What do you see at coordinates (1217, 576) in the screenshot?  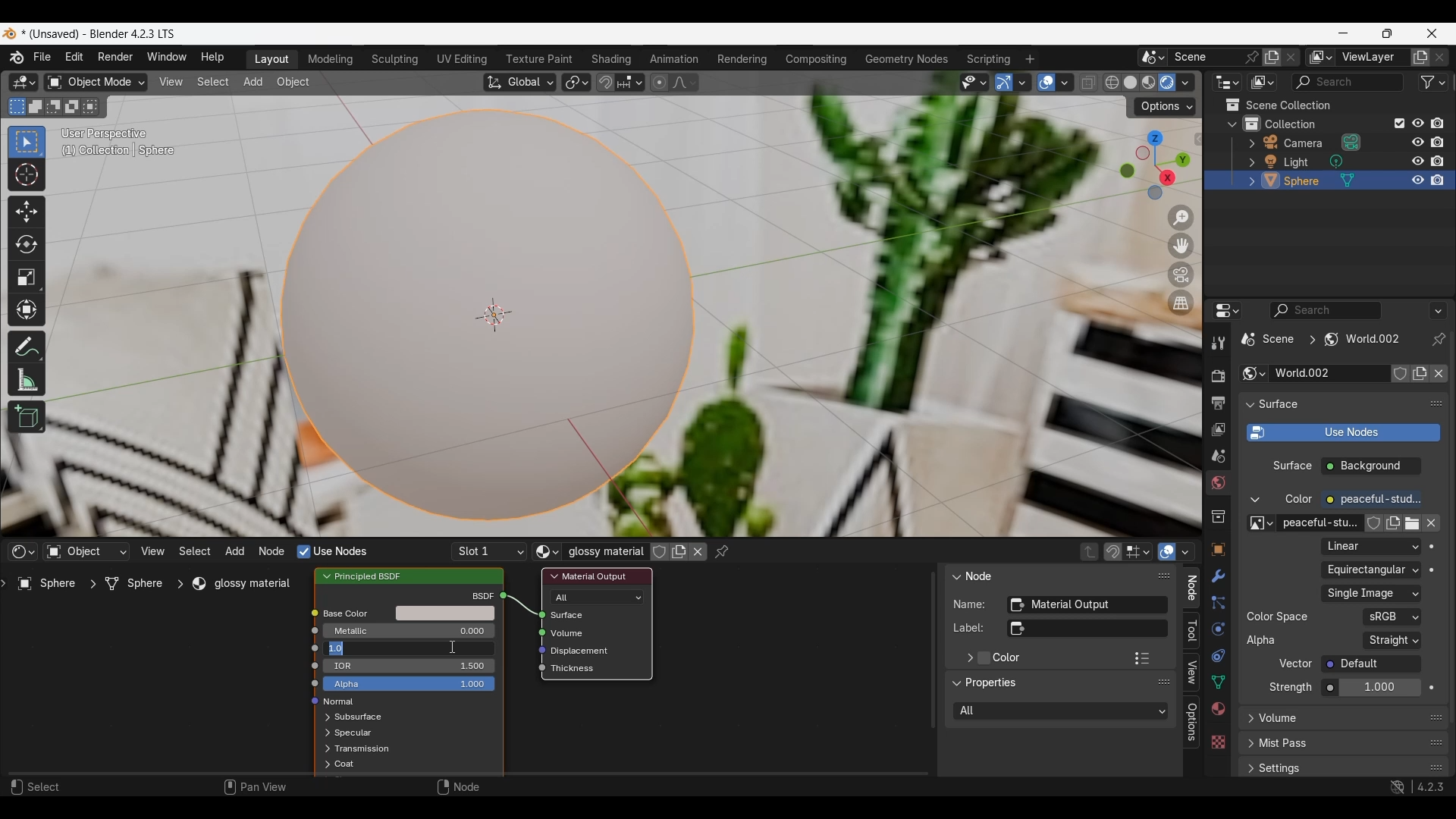 I see `Modifier properties` at bounding box center [1217, 576].